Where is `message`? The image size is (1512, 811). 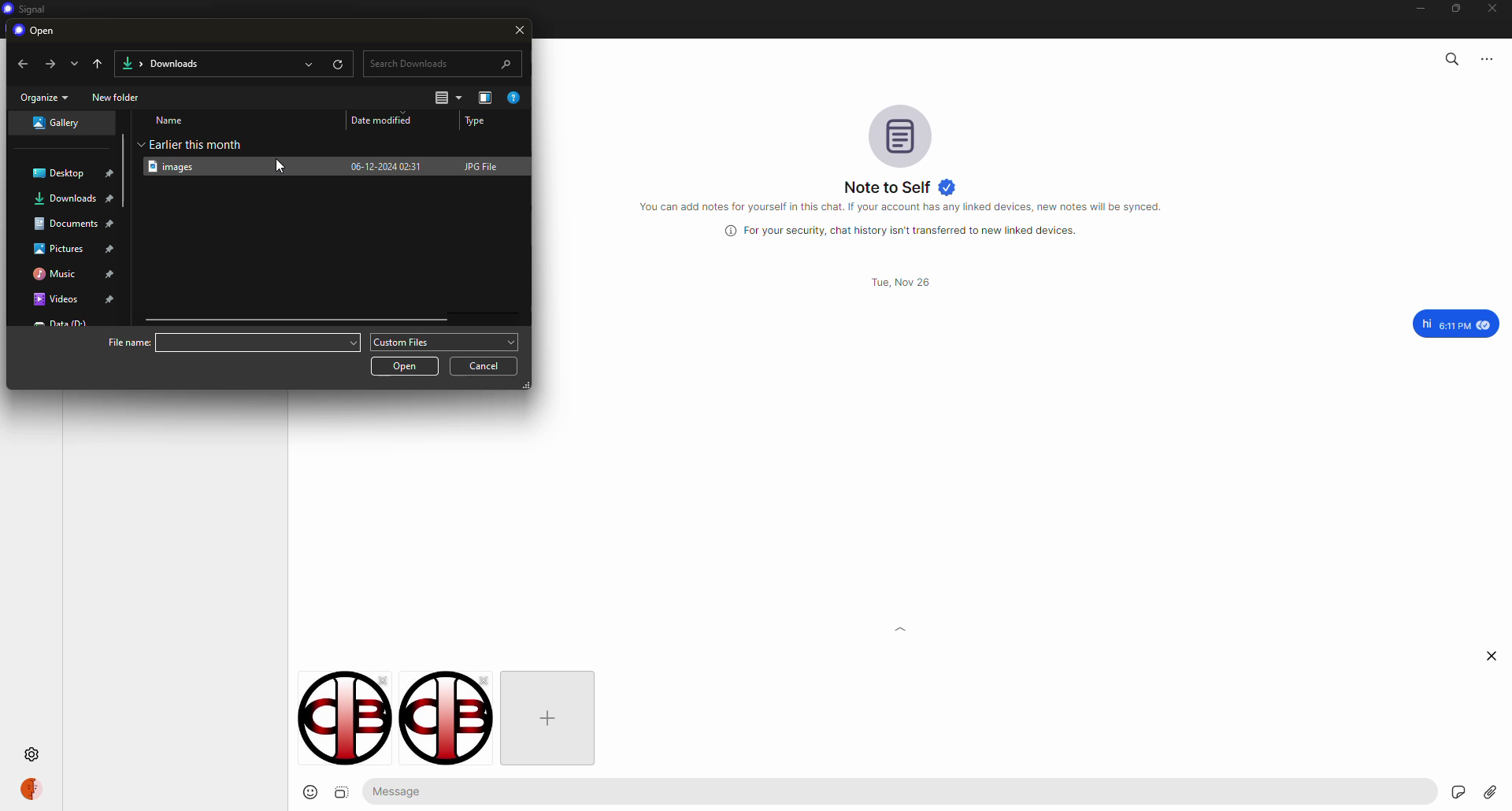 message is located at coordinates (1455, 324).